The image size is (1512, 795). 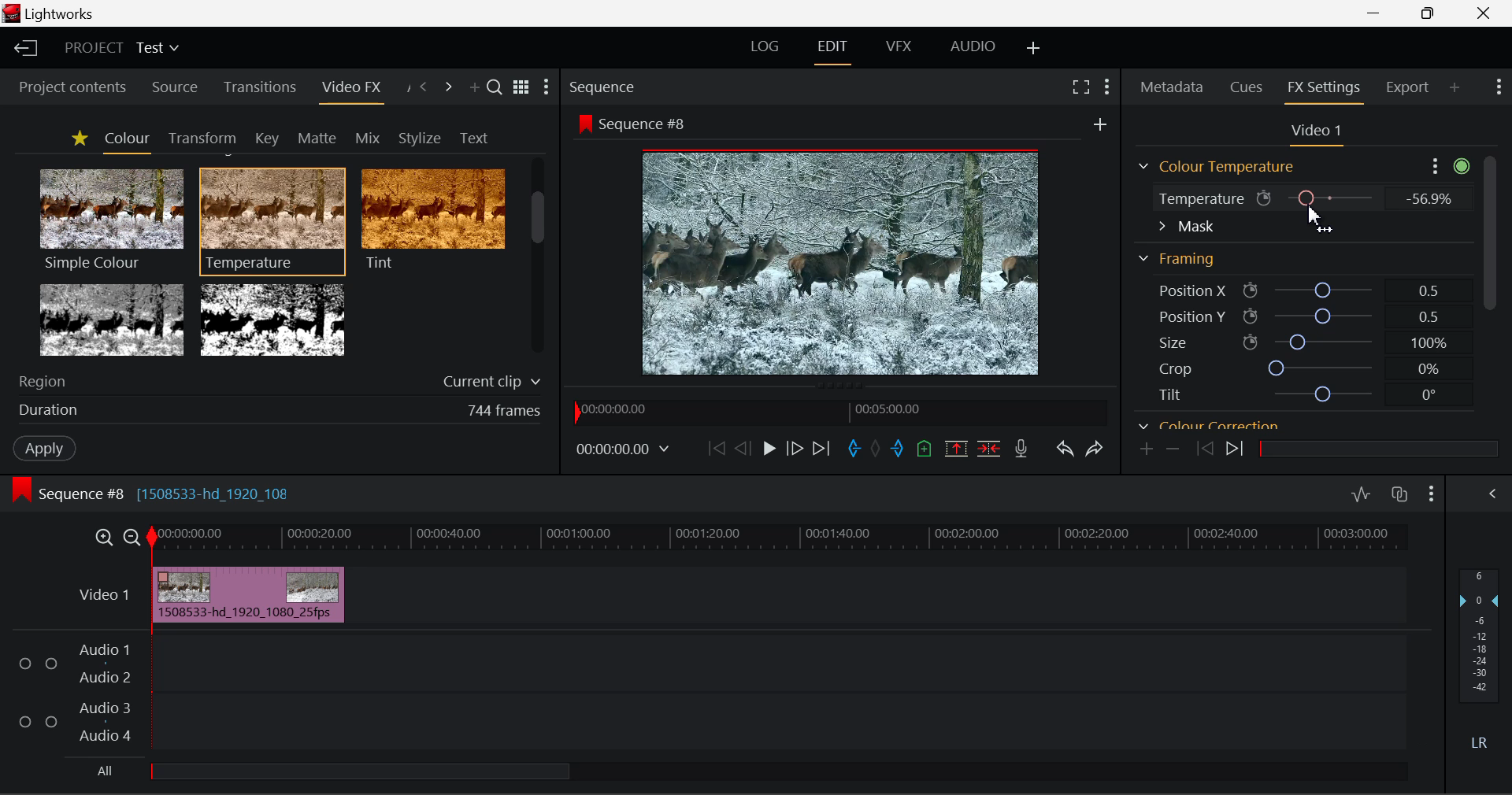 I want to click on Add Panel, so click(x=472, y=87).